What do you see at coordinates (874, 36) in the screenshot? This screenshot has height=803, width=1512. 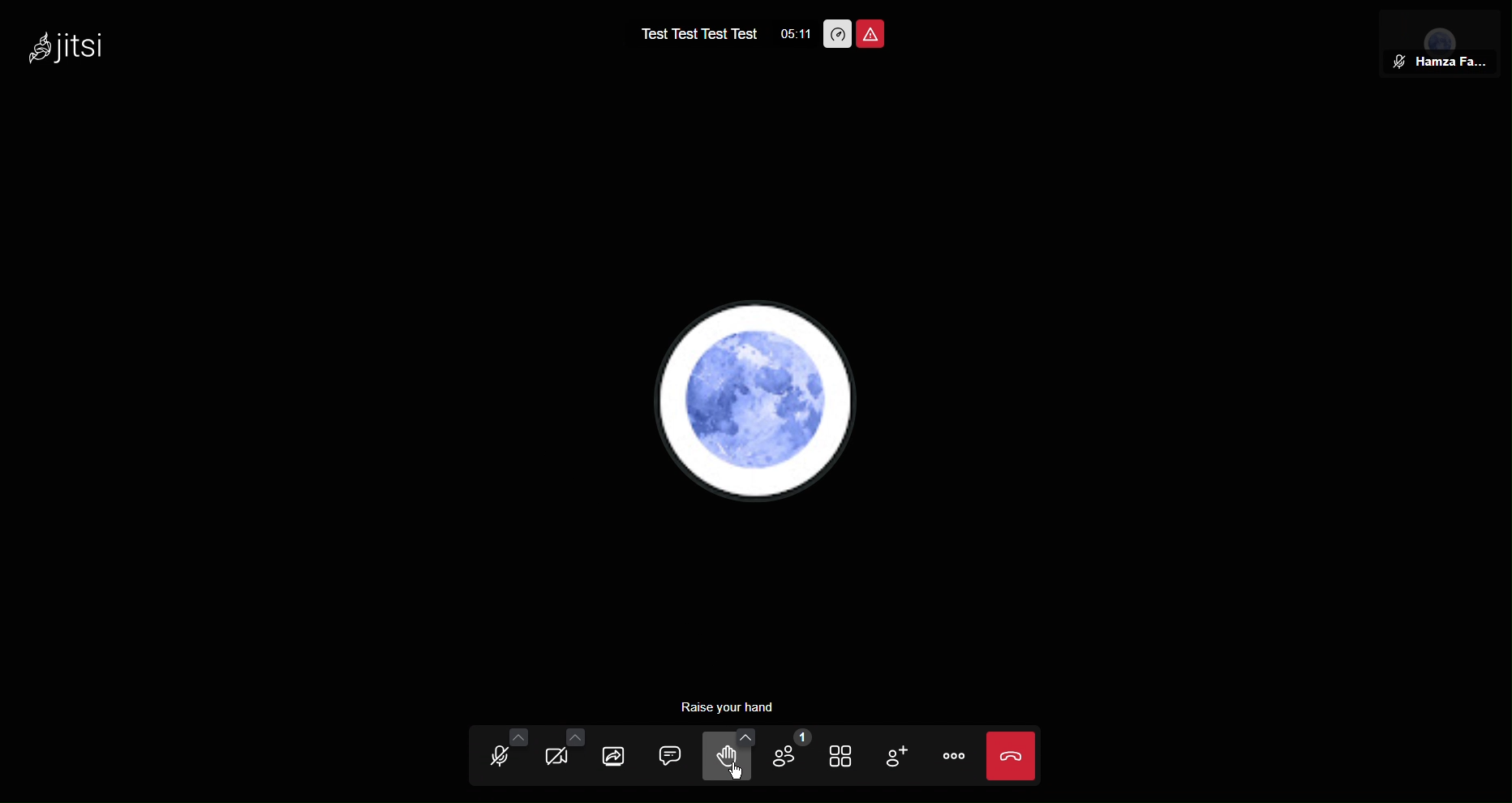 I see `Unsafe Meeting` at bounding box center [874, 36].